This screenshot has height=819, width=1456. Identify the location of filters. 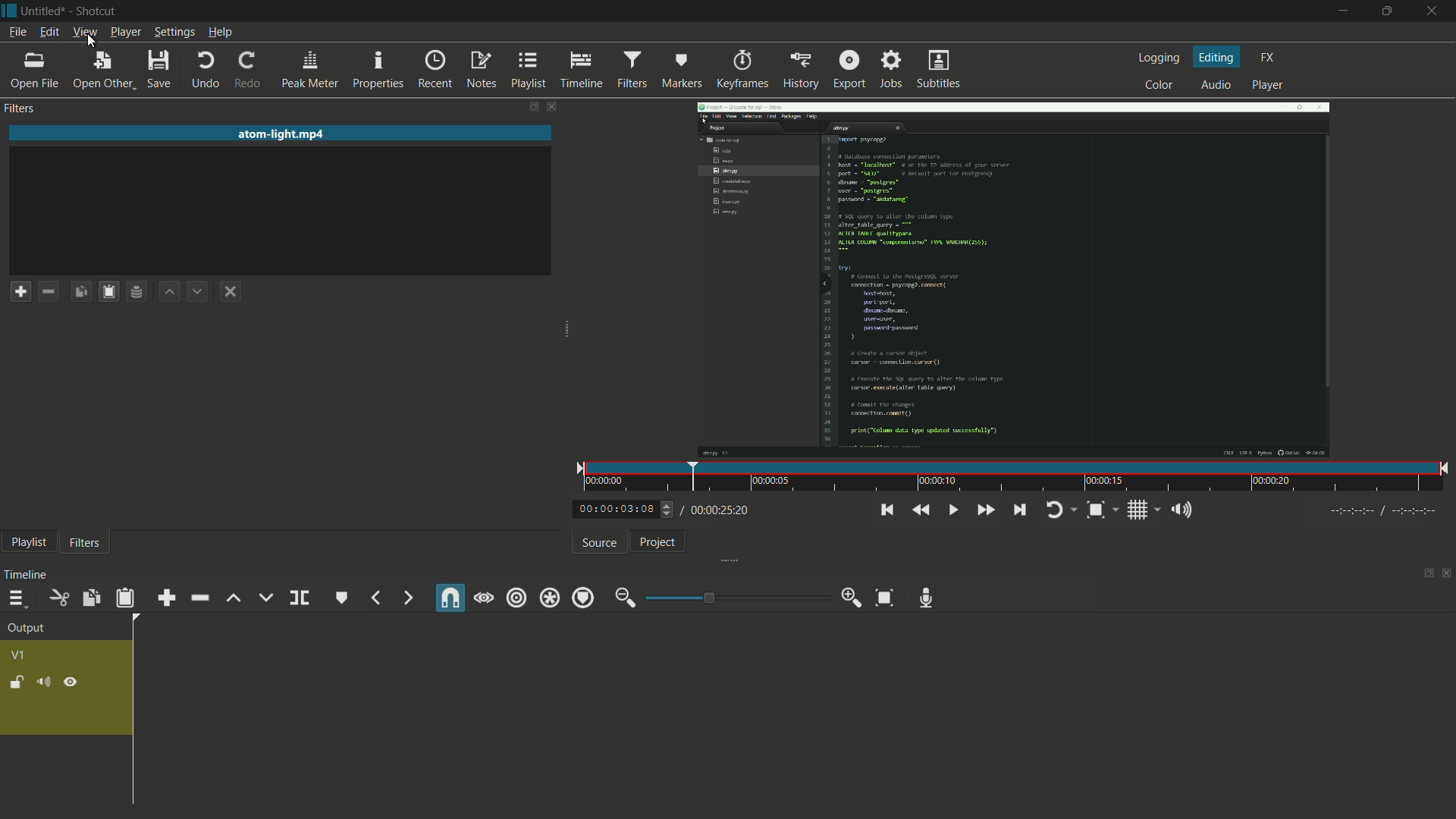
(20, 109).